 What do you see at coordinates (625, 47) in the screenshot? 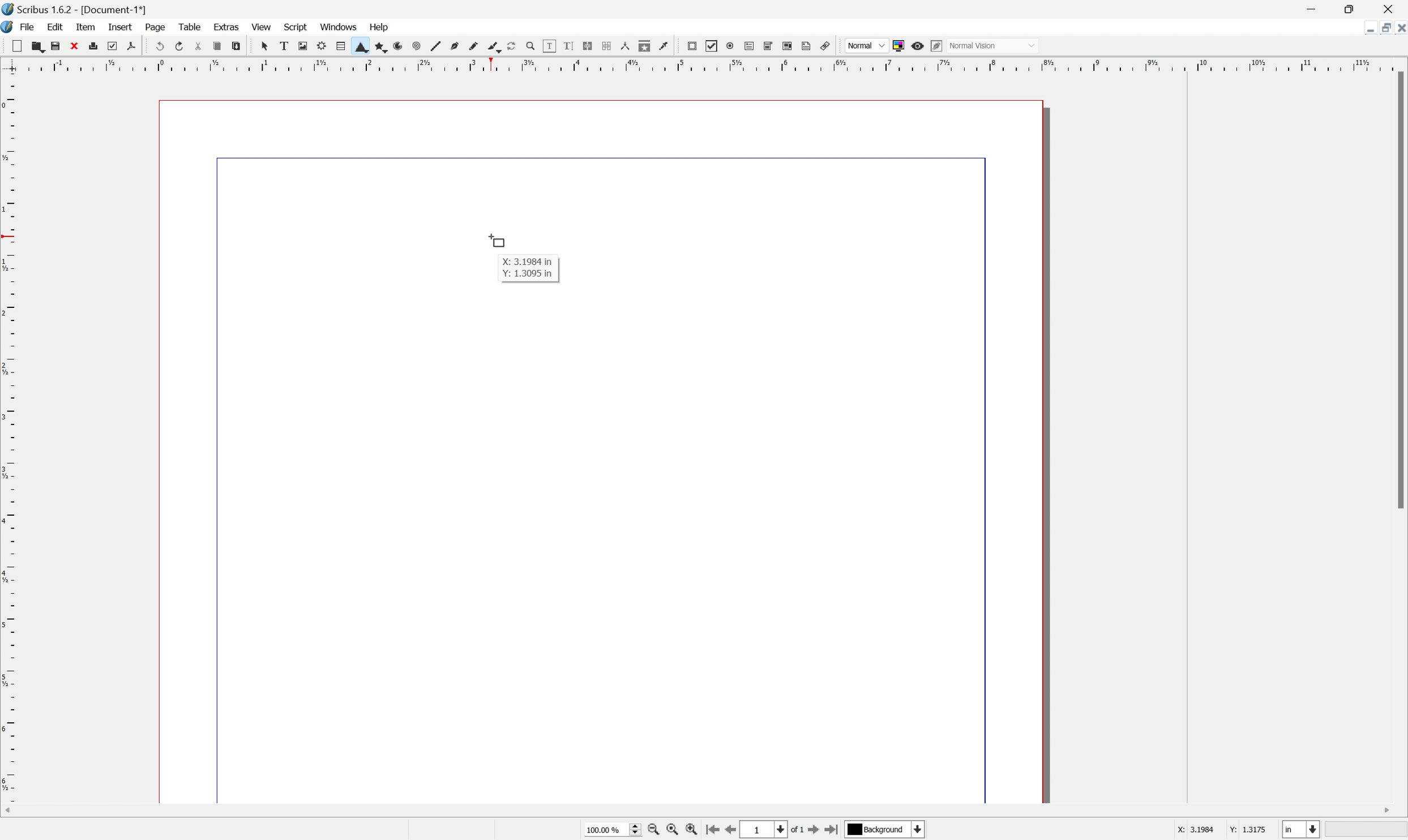
I see `Measurements` at bounding box center [625, 47].